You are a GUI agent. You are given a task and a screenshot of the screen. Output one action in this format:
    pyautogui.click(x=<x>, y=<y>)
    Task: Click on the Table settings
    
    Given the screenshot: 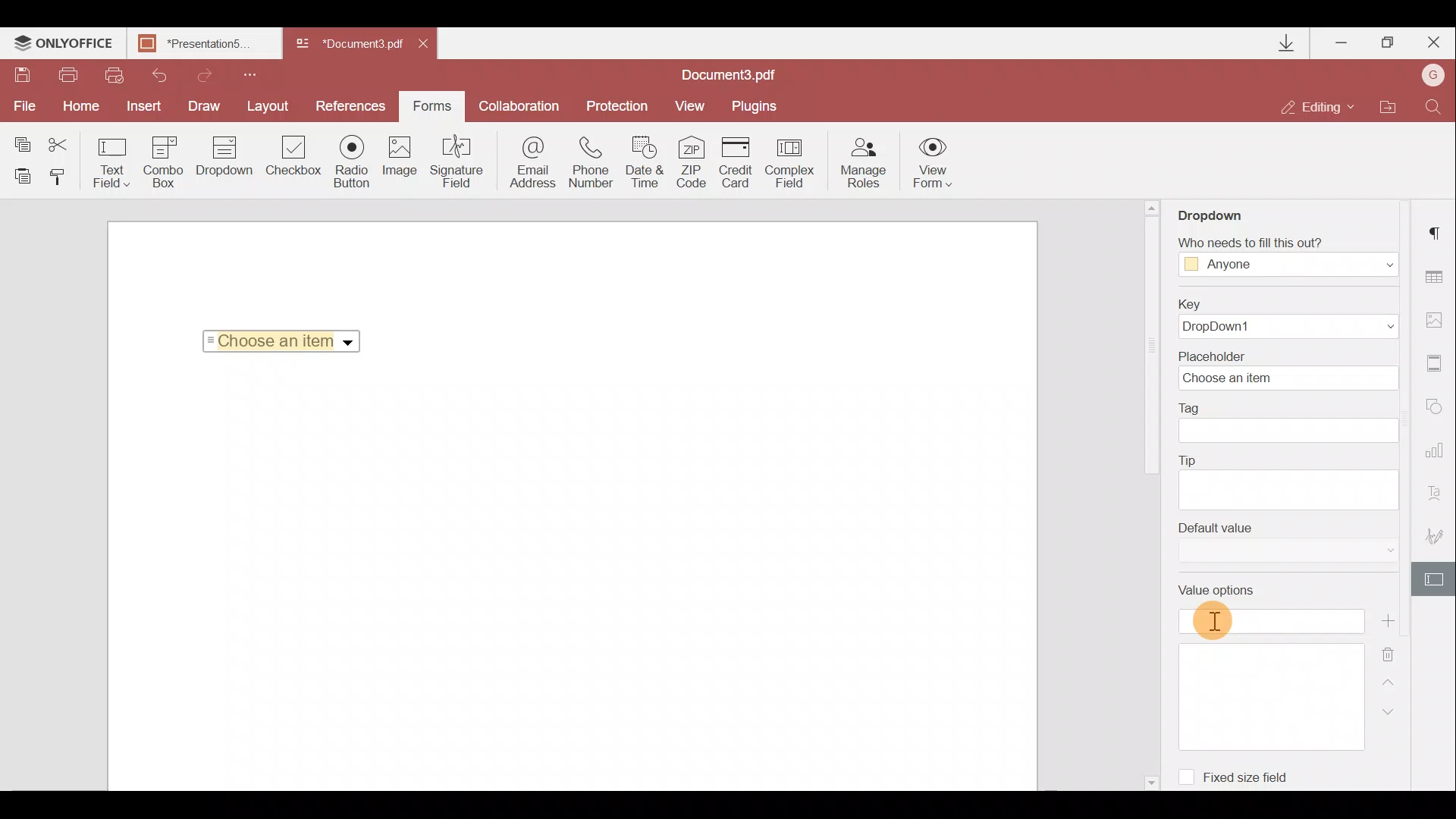 What is the action you would take?
    pyautogui.click(x=1436, y=277)
    